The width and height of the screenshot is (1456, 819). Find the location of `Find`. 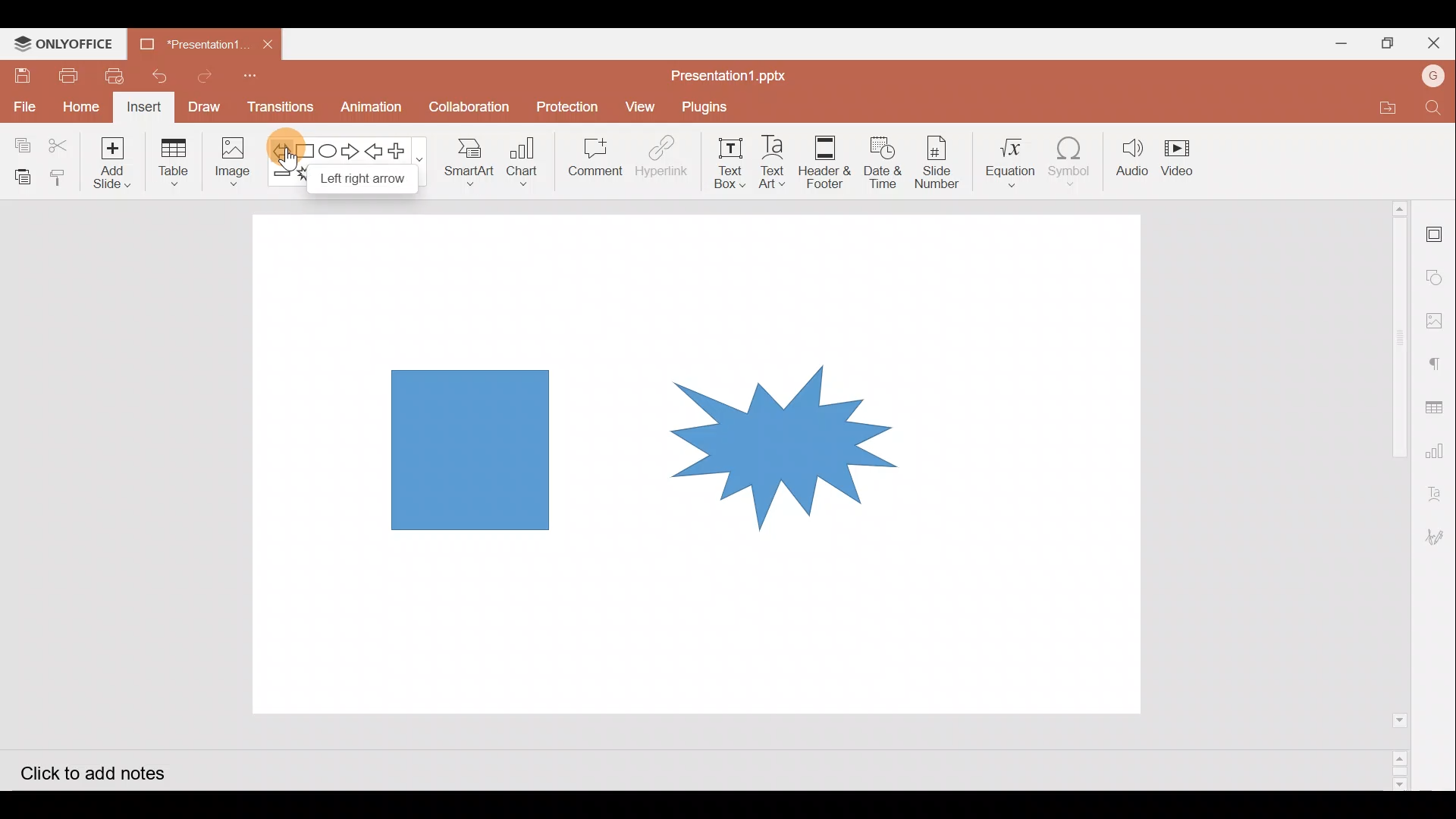

Find is located at coordinates (1433, 108).